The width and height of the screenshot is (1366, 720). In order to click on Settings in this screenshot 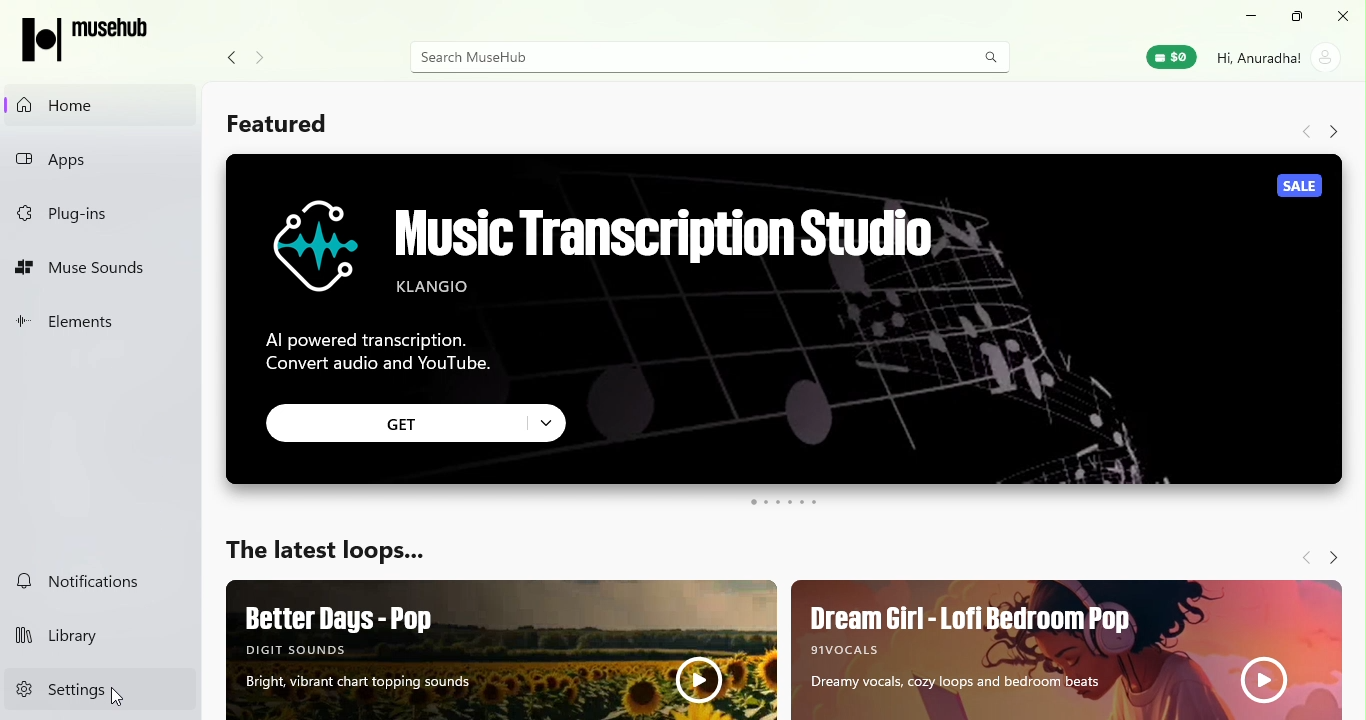, I will do `click(103, 688)`.